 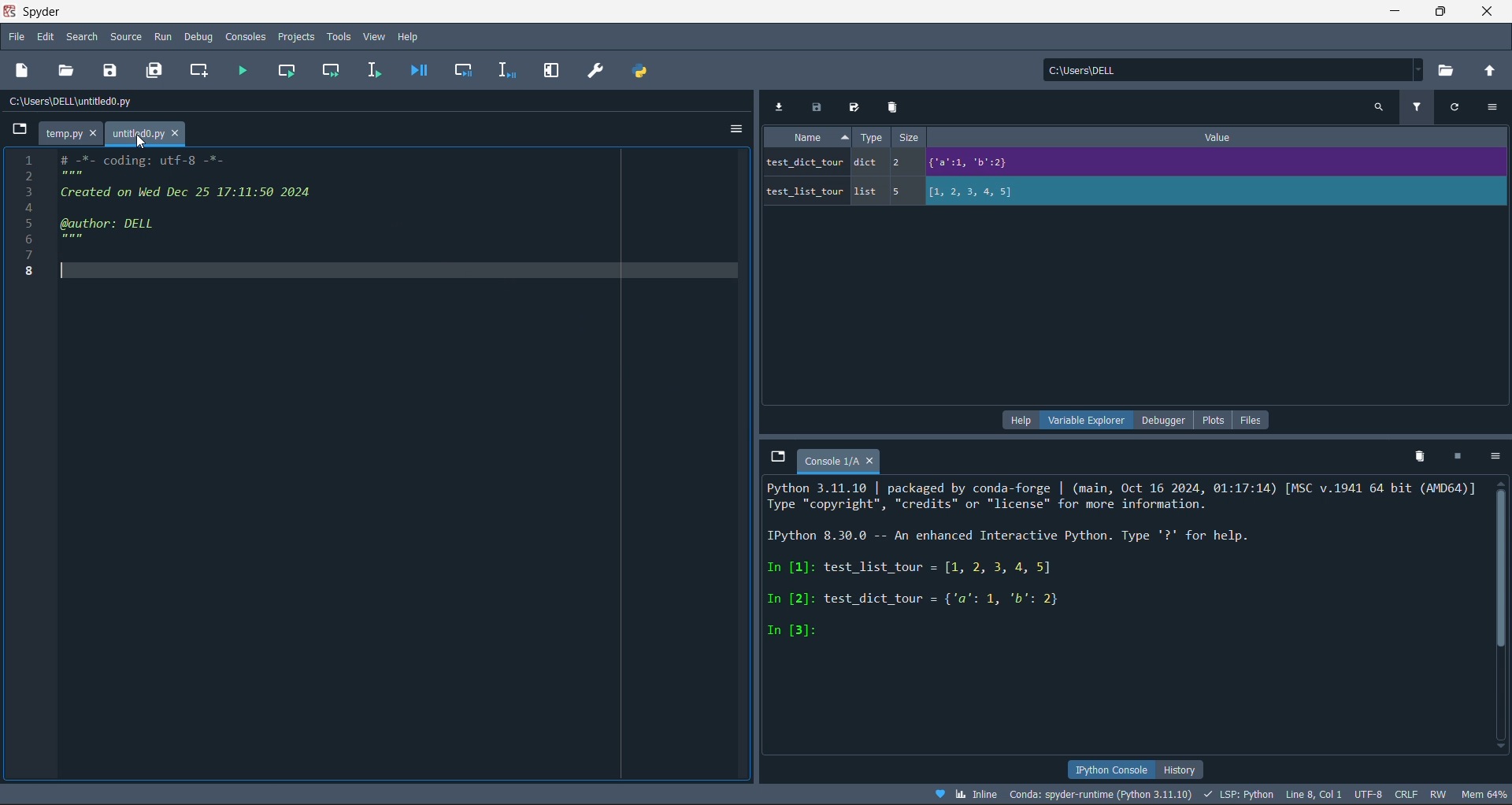 I want to click on import data , so click(x=782, y=106).